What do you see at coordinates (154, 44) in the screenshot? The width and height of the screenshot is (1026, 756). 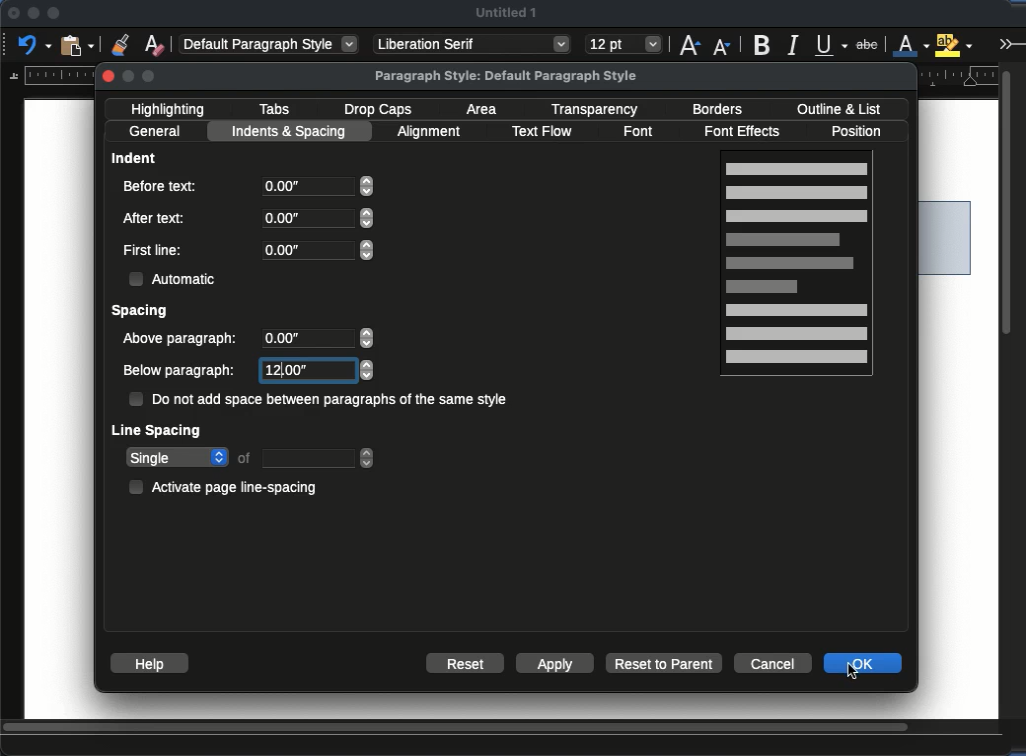 I see `clear formatting` at bounding box center [154, 44].